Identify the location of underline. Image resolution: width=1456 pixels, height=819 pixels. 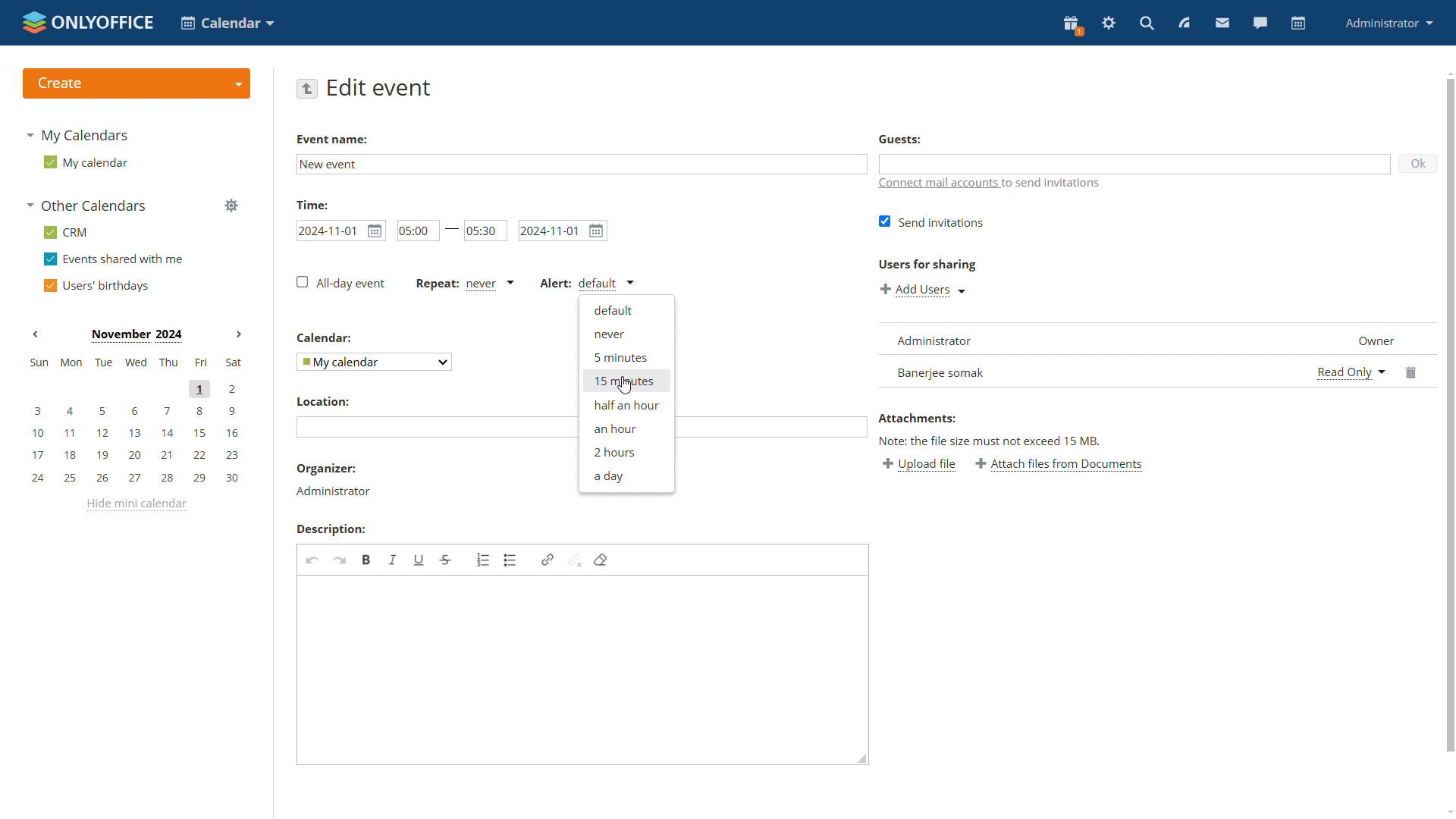
(419, 560).